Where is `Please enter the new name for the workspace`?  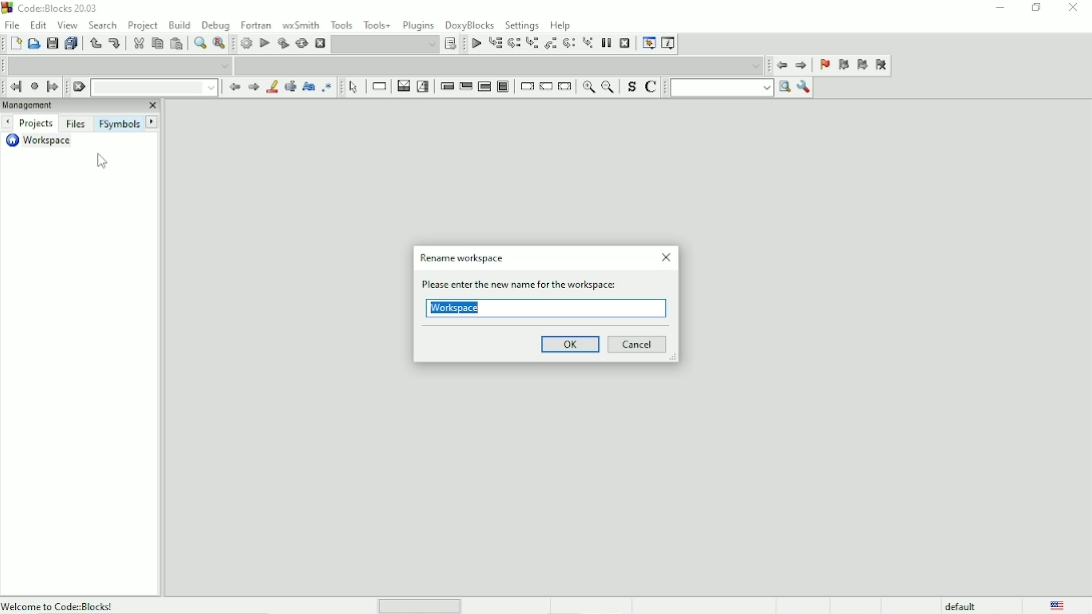 Please enter the new name for the workspace is located at coordinates (525, 285).